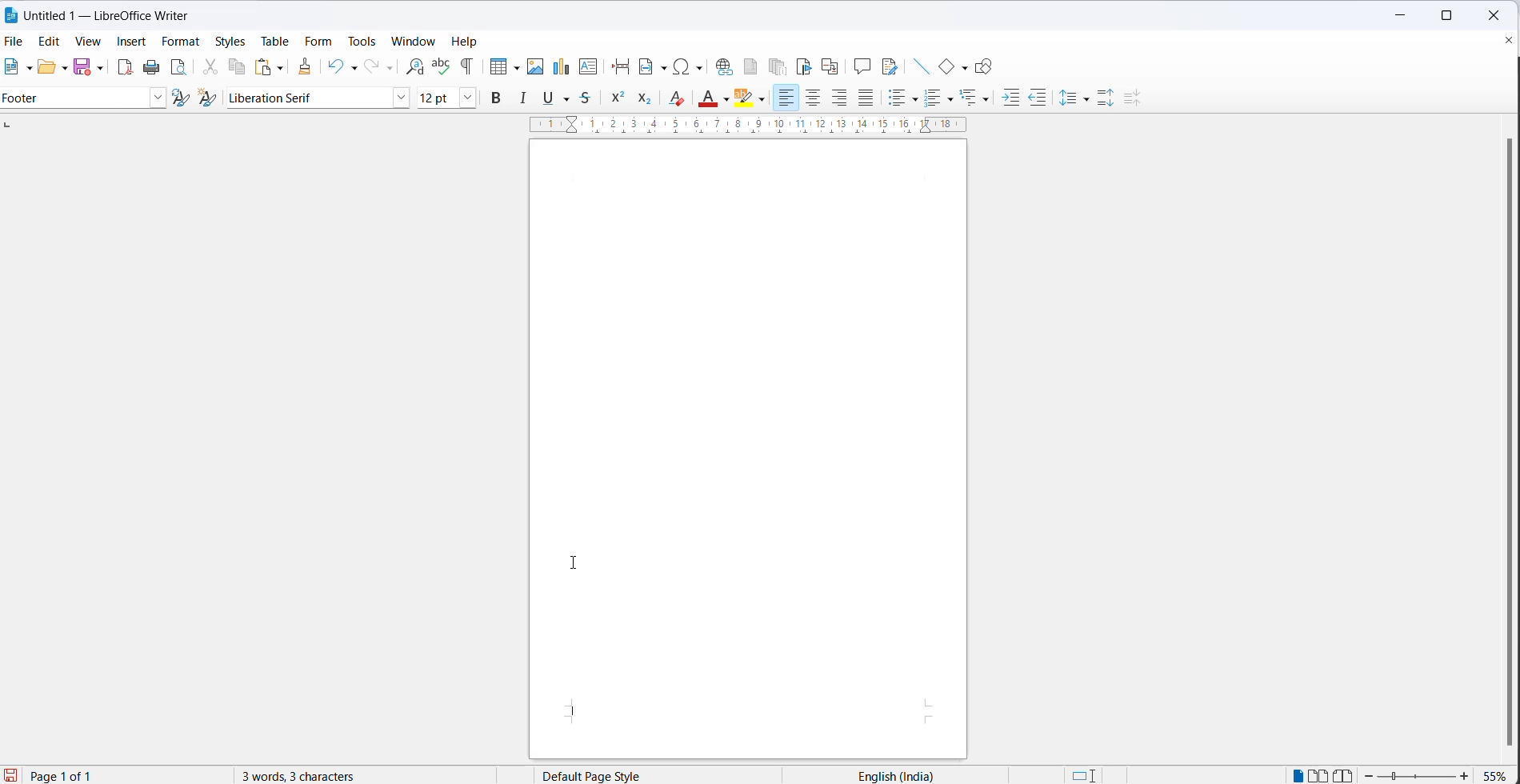 The height and width of the screenshot is (784, 1520). Describe the element at coordinates (934, 100) in the screenshot. I see `toggle unordered list` at that location.